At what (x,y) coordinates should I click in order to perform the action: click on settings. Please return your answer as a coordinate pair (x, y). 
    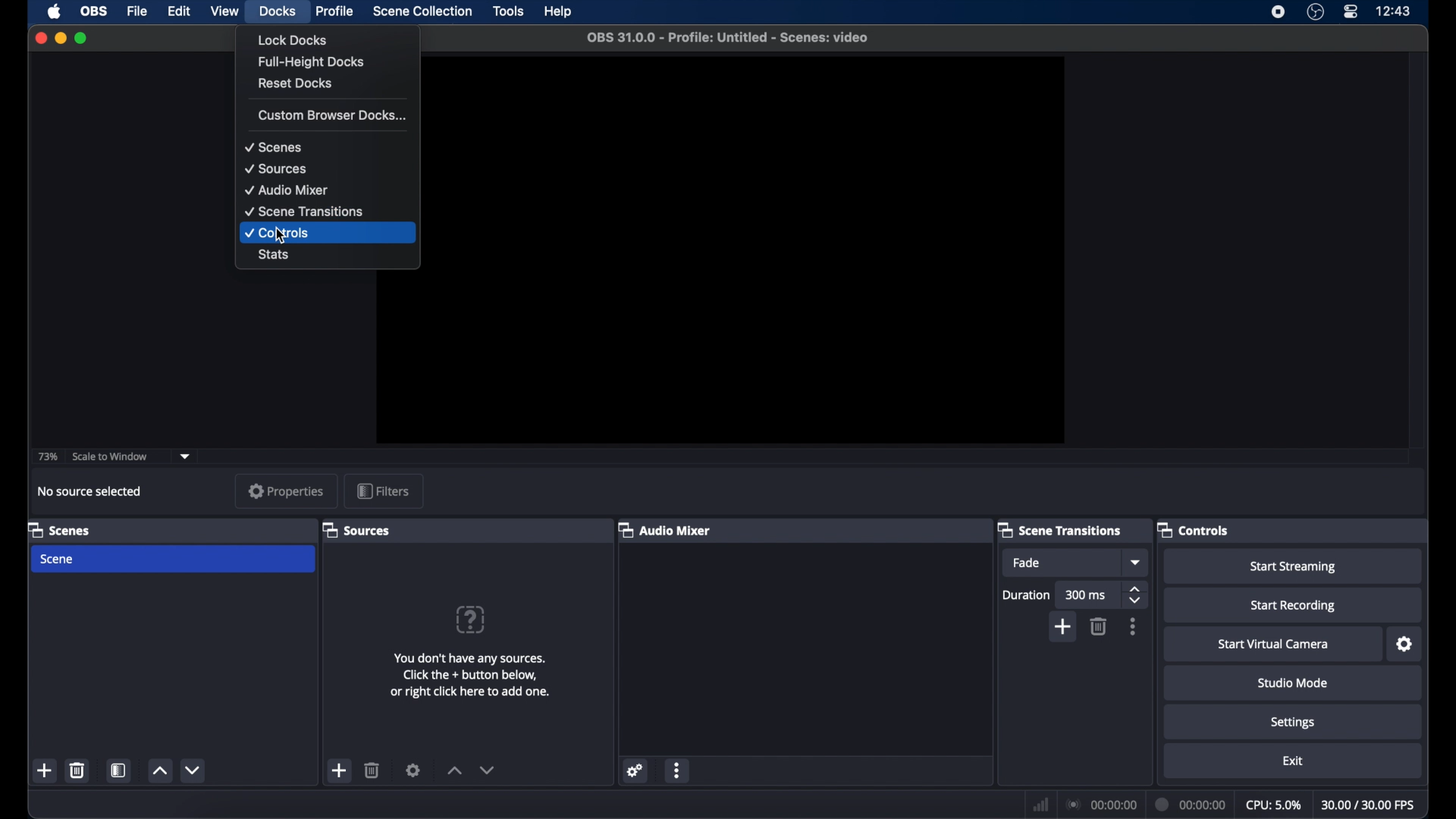
    Looking at the image, I should click on (1294, 723).